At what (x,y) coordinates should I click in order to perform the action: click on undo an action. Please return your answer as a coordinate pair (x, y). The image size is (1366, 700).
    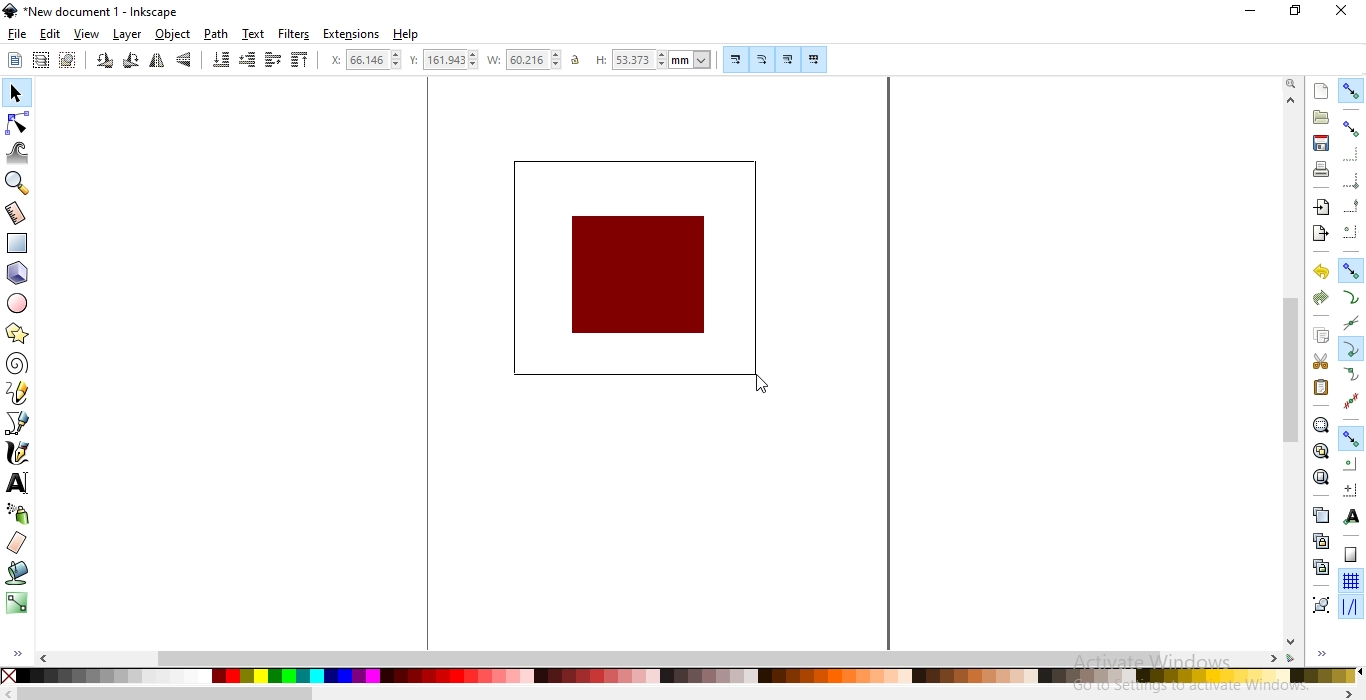
    Looking at the image, I should click on (1322, 271).